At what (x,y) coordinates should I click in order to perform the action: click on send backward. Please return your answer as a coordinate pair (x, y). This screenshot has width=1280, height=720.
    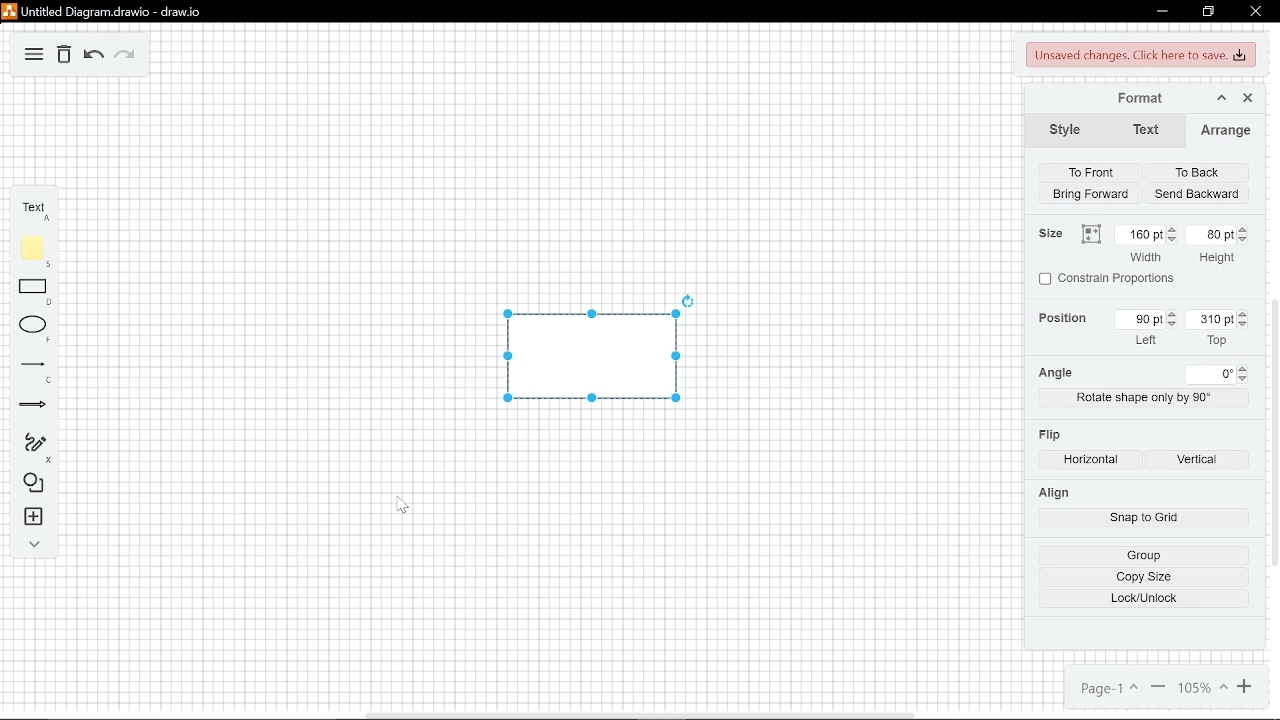
    Looking at the image, I should click on (1199, 193).